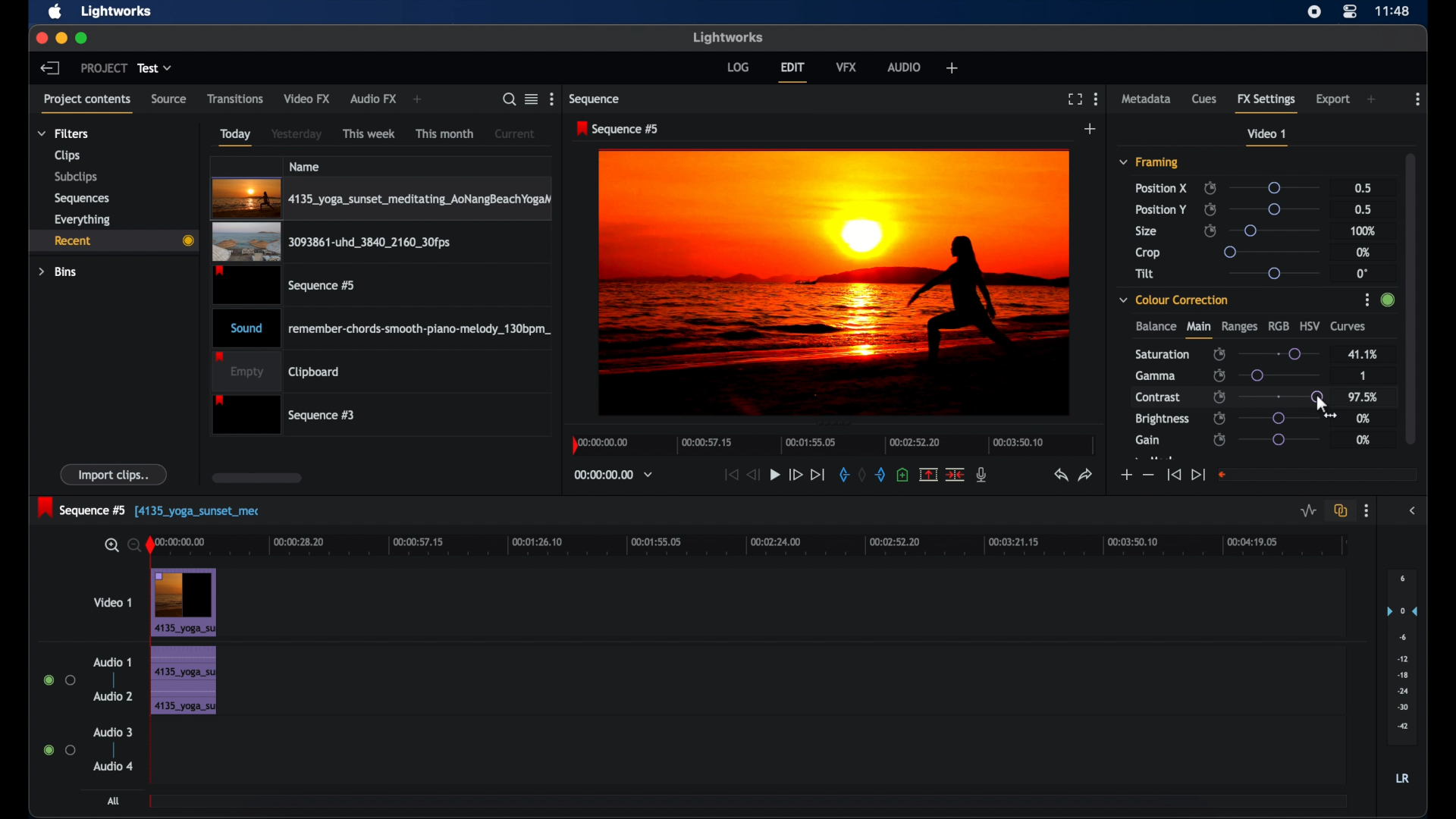  Describe the element at coordinates (955, 474) in the screenshot. I see `cut` at that location.